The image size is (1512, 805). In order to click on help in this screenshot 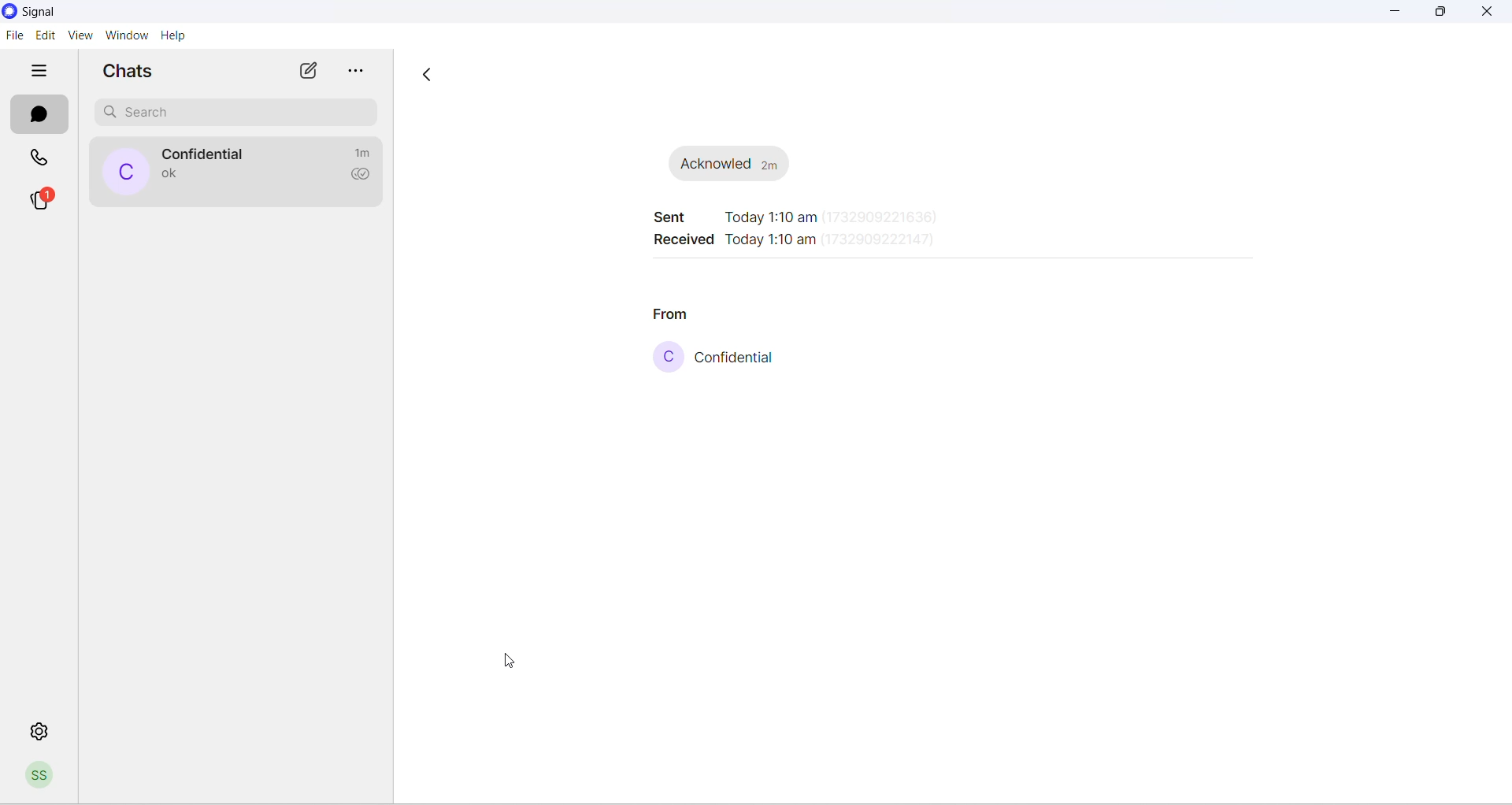, I will do `click(176, 37)`.